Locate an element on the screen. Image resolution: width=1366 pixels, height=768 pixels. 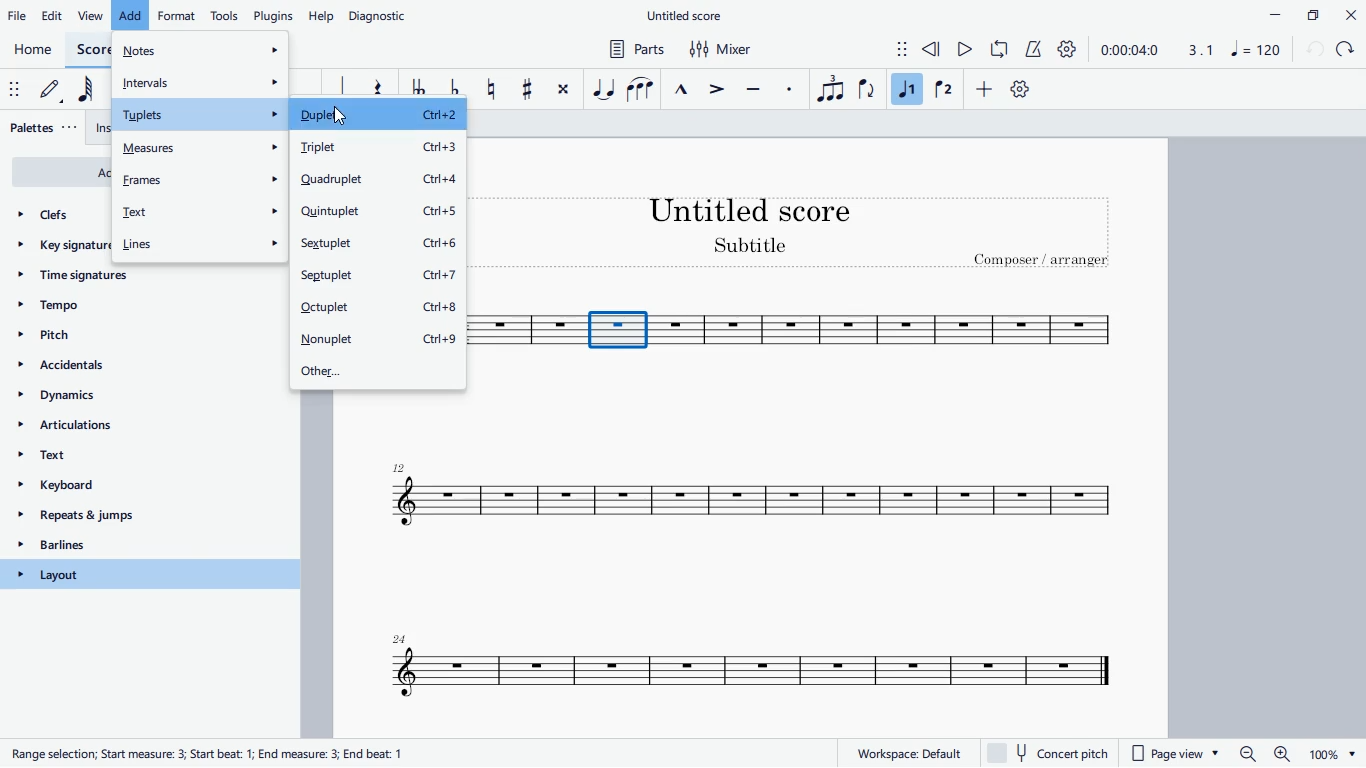
lines is located at coordinates (199, 243).